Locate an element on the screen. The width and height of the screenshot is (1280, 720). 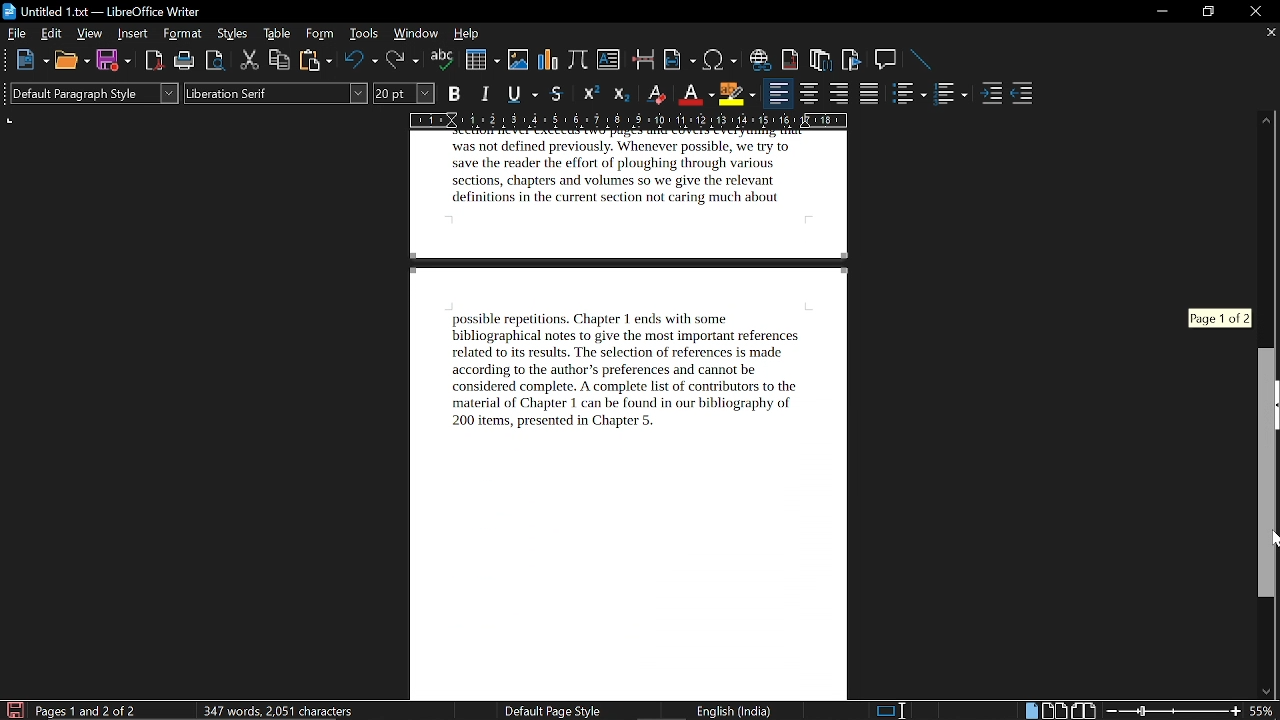
insert is located at coordinates (133, 34).